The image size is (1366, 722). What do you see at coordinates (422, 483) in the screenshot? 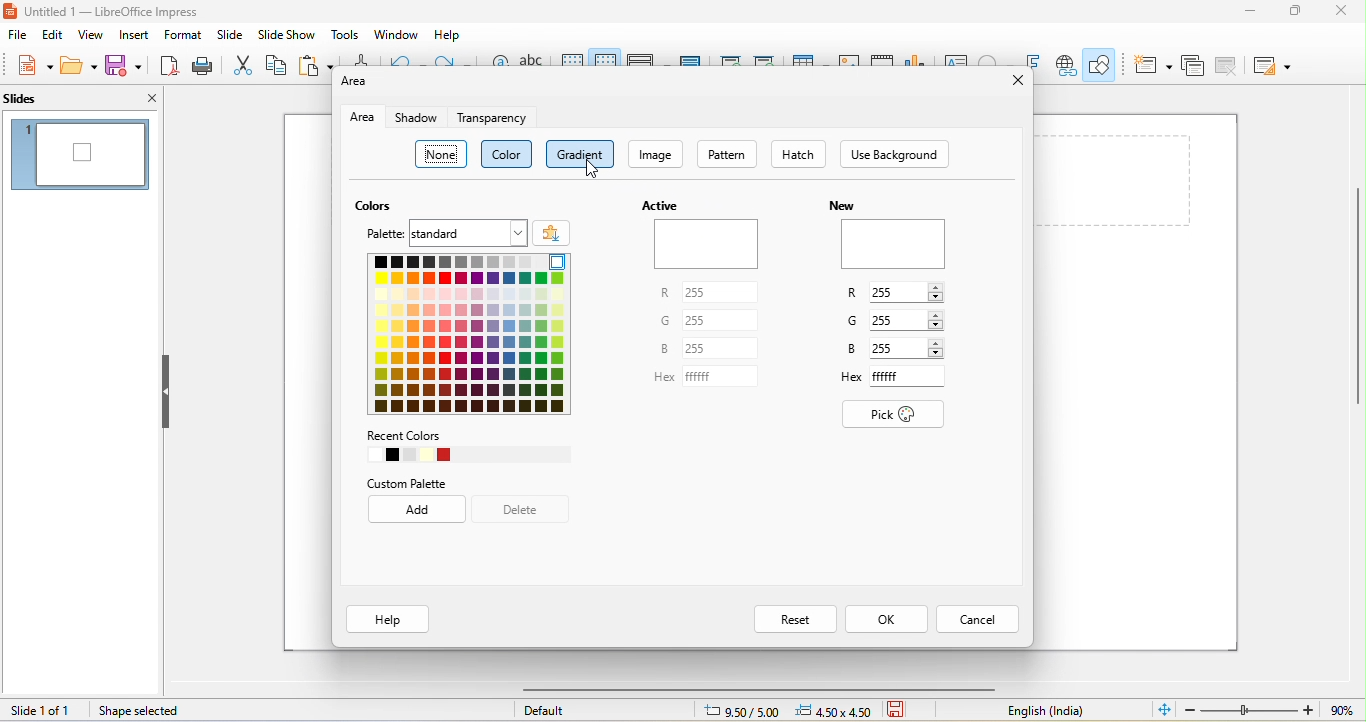
I see `custom palette` at bounding box center [422, 483].